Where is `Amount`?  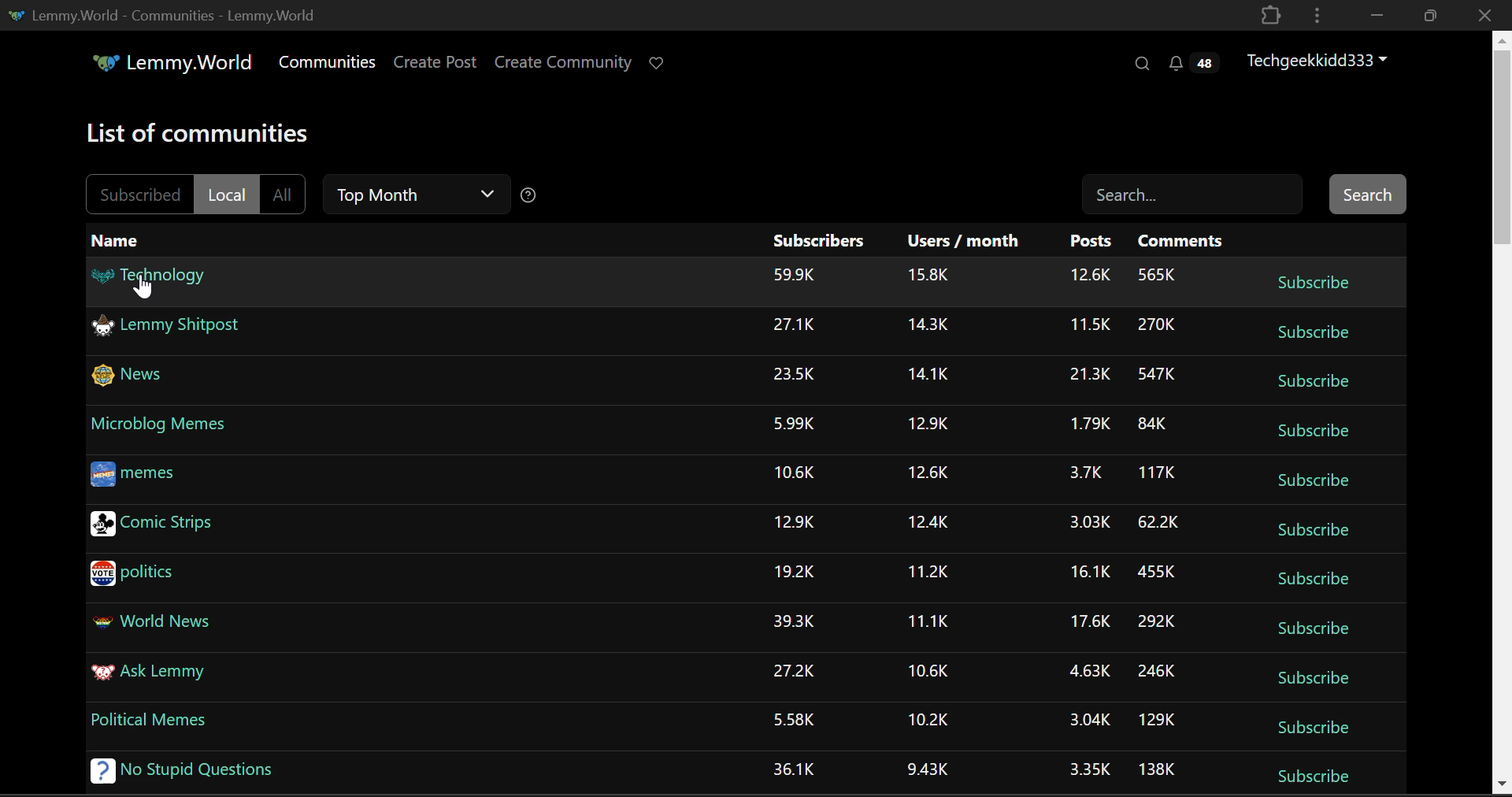 Amount is located at coordinates (1086, 276).